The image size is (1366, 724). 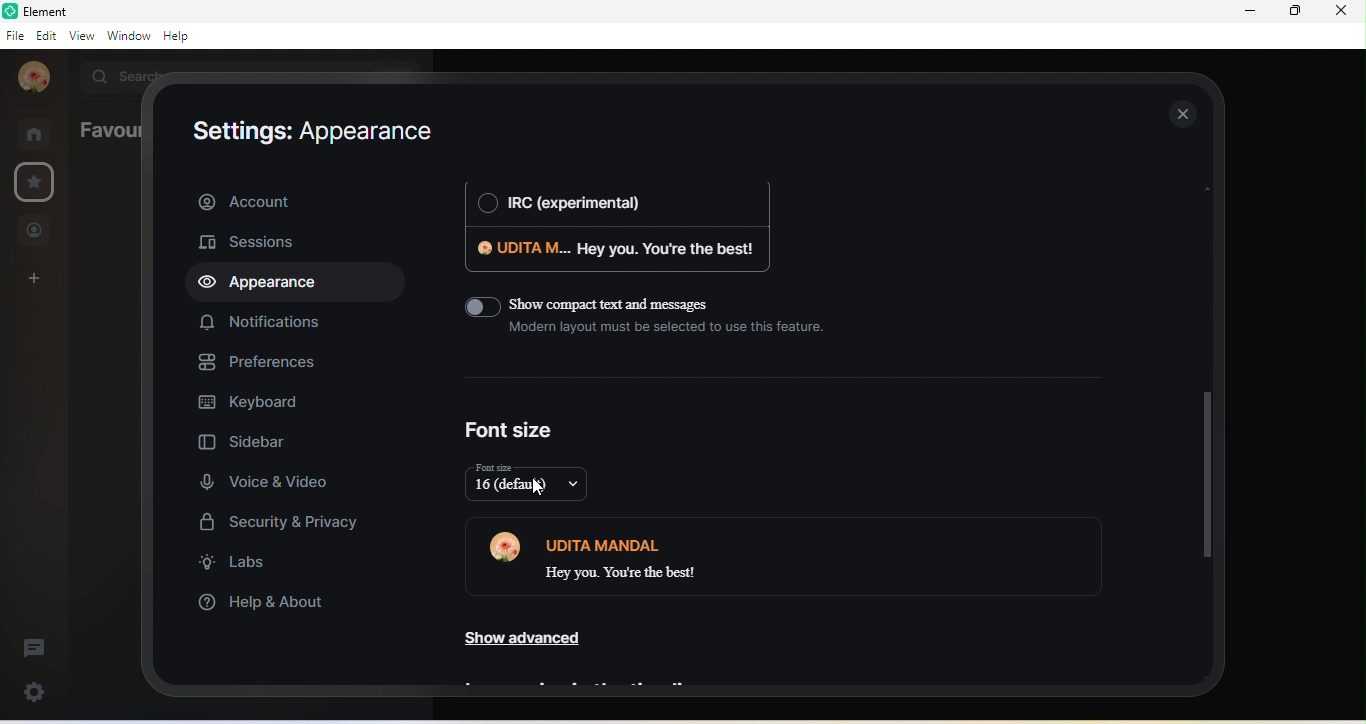 I want to click on preferences, so click(x=257, y=361).